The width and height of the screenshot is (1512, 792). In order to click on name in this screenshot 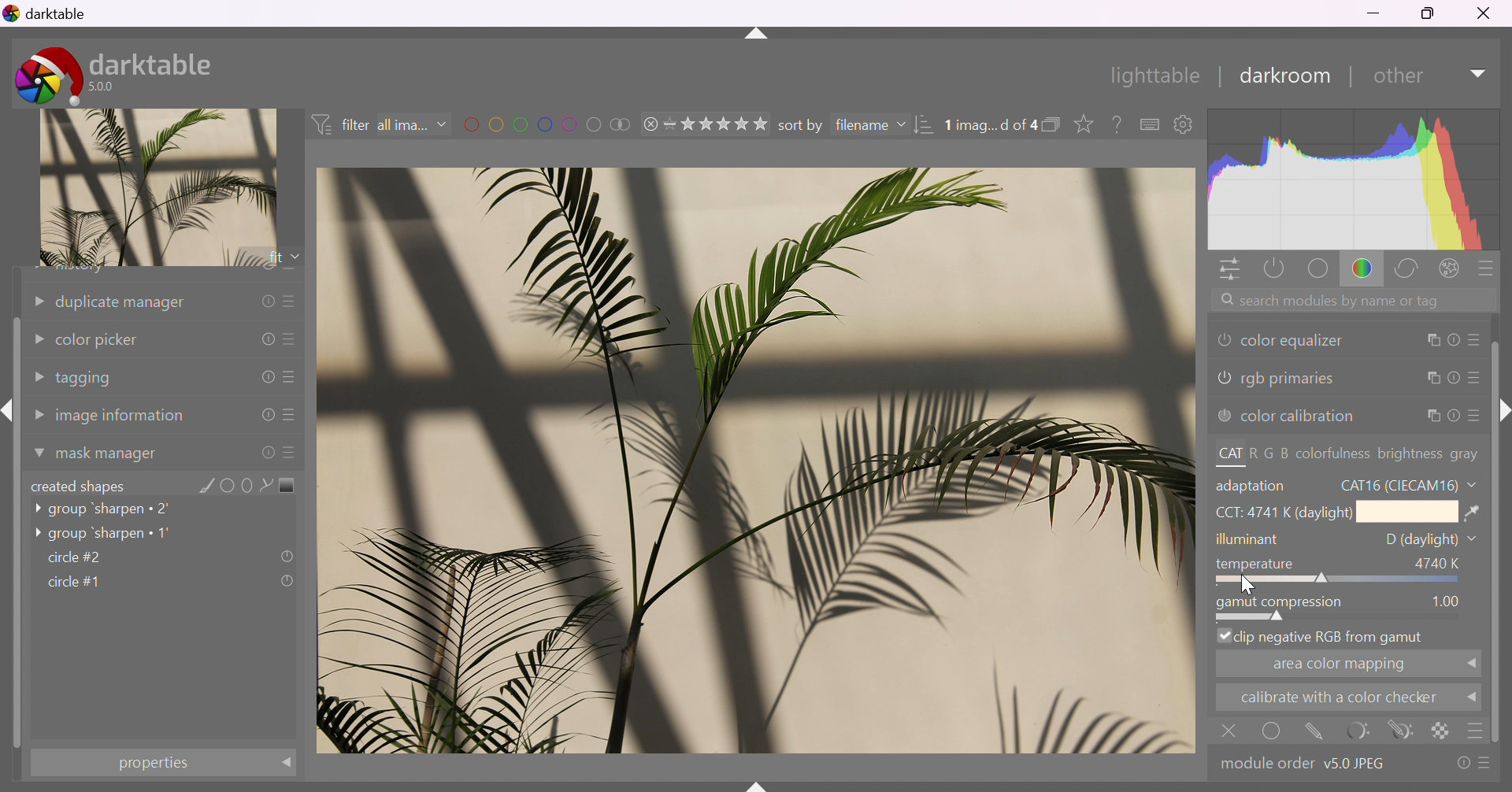, I will do `click(763, 785)`.